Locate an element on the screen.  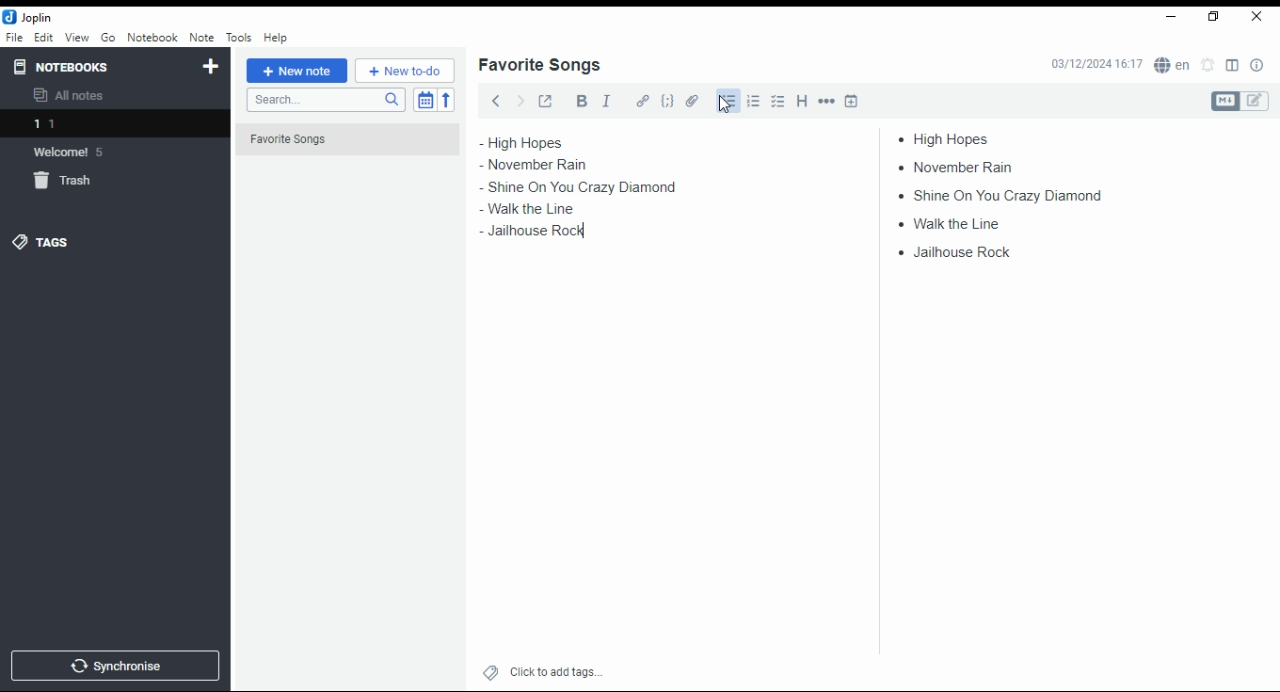
icon is located at coordinates (30, 17).